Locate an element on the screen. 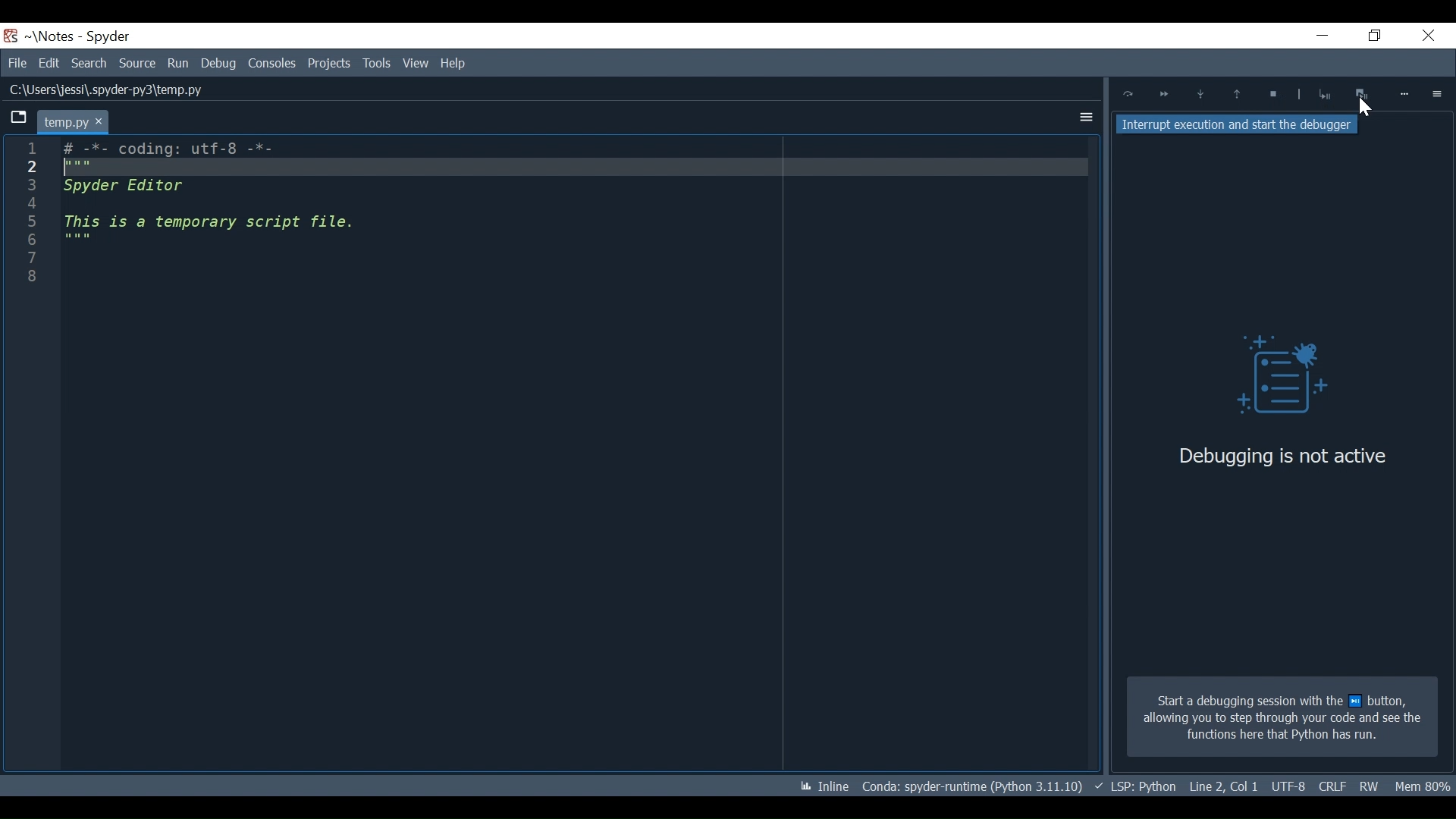 This screenshot has width=1456, height=819. Stop Debugging is located at coordinates (1324, 94).